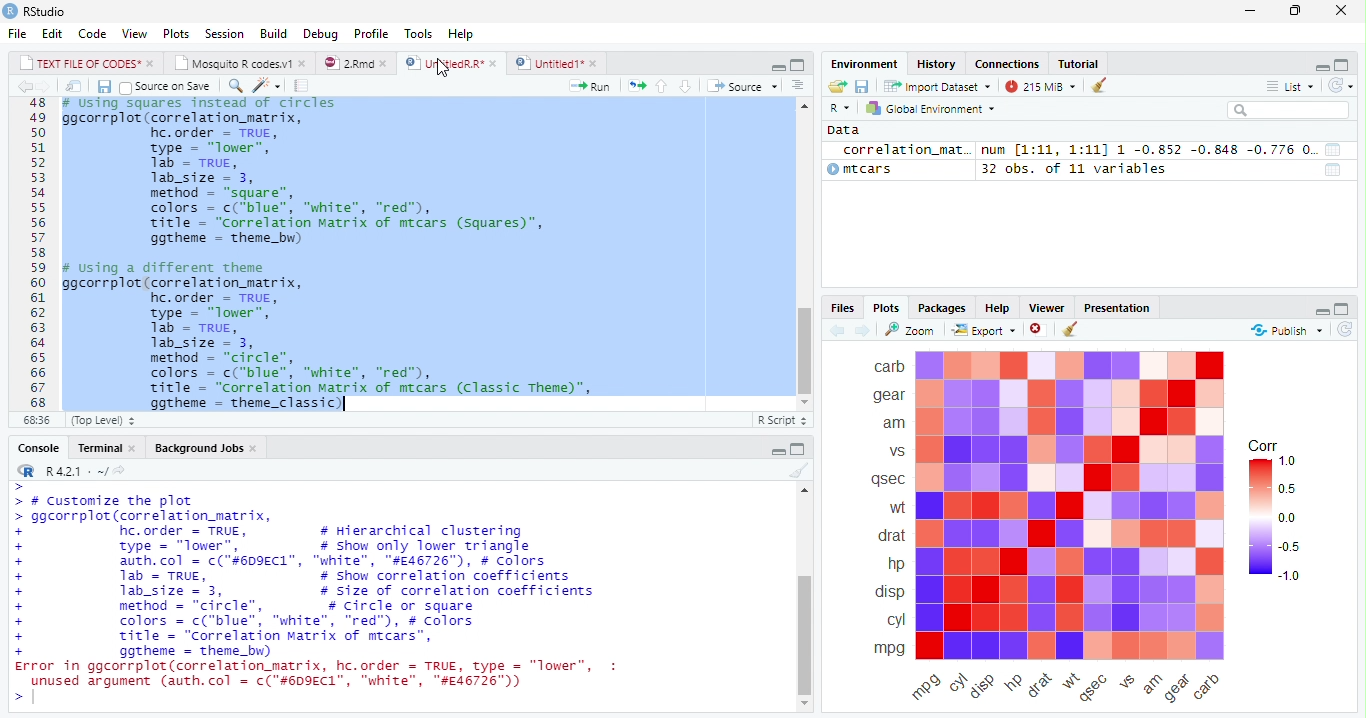  I want to click on (Top Level), so click(100, 420).